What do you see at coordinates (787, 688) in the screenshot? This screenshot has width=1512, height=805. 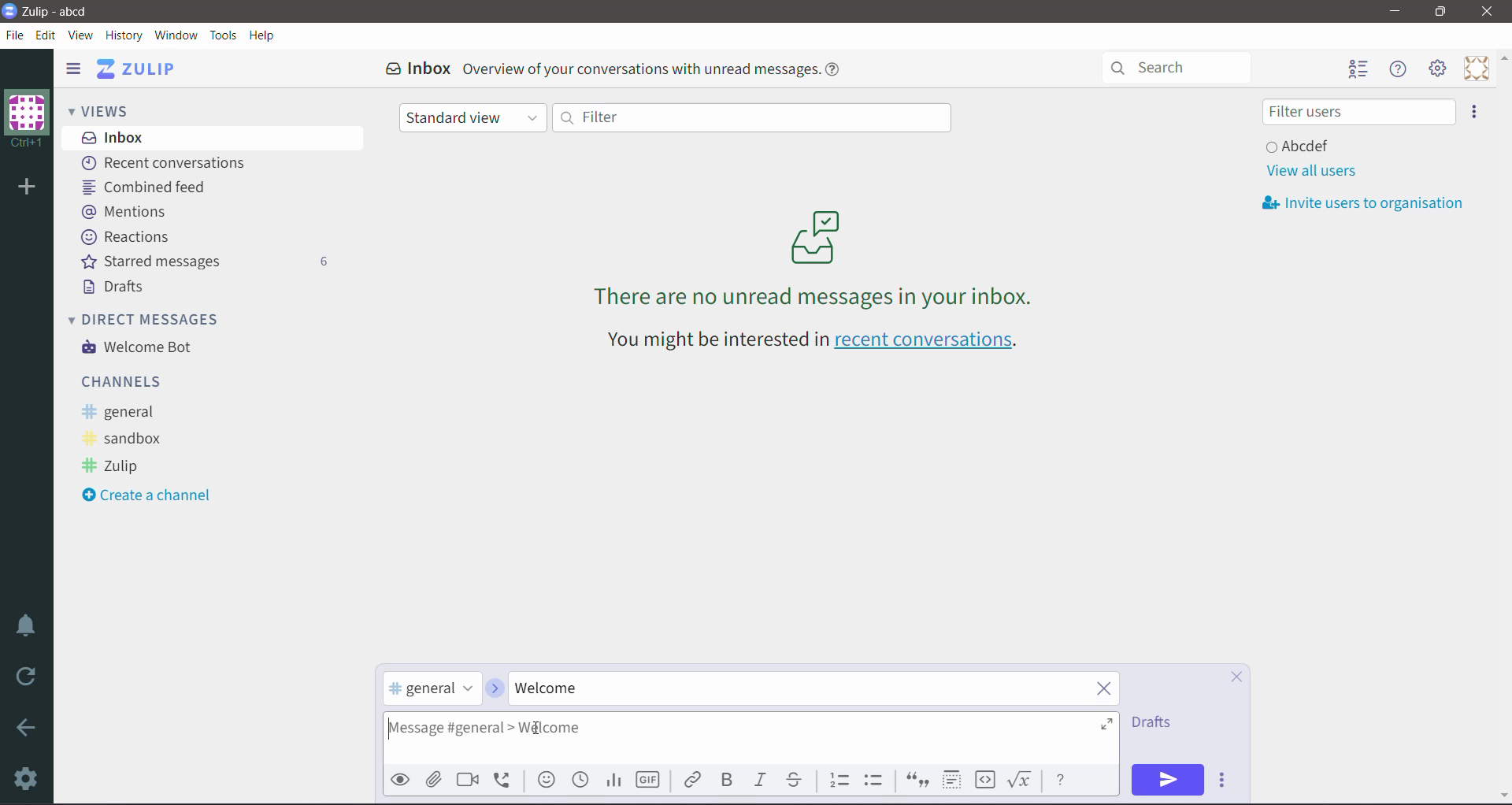 I see `Type the required Topic` at bounding box center [787, 688].